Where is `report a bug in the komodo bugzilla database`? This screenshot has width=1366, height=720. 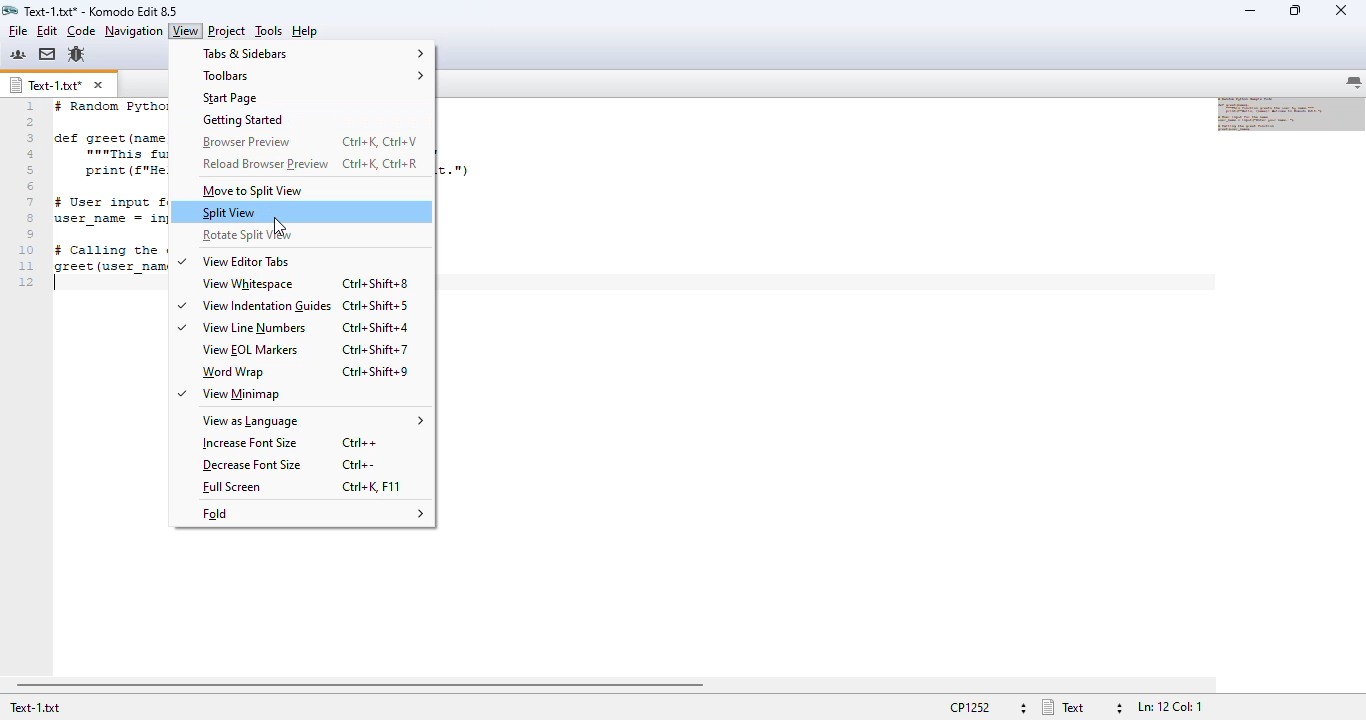 report a bug in the komodo bugzilla database is located at coordinates (77, 54).